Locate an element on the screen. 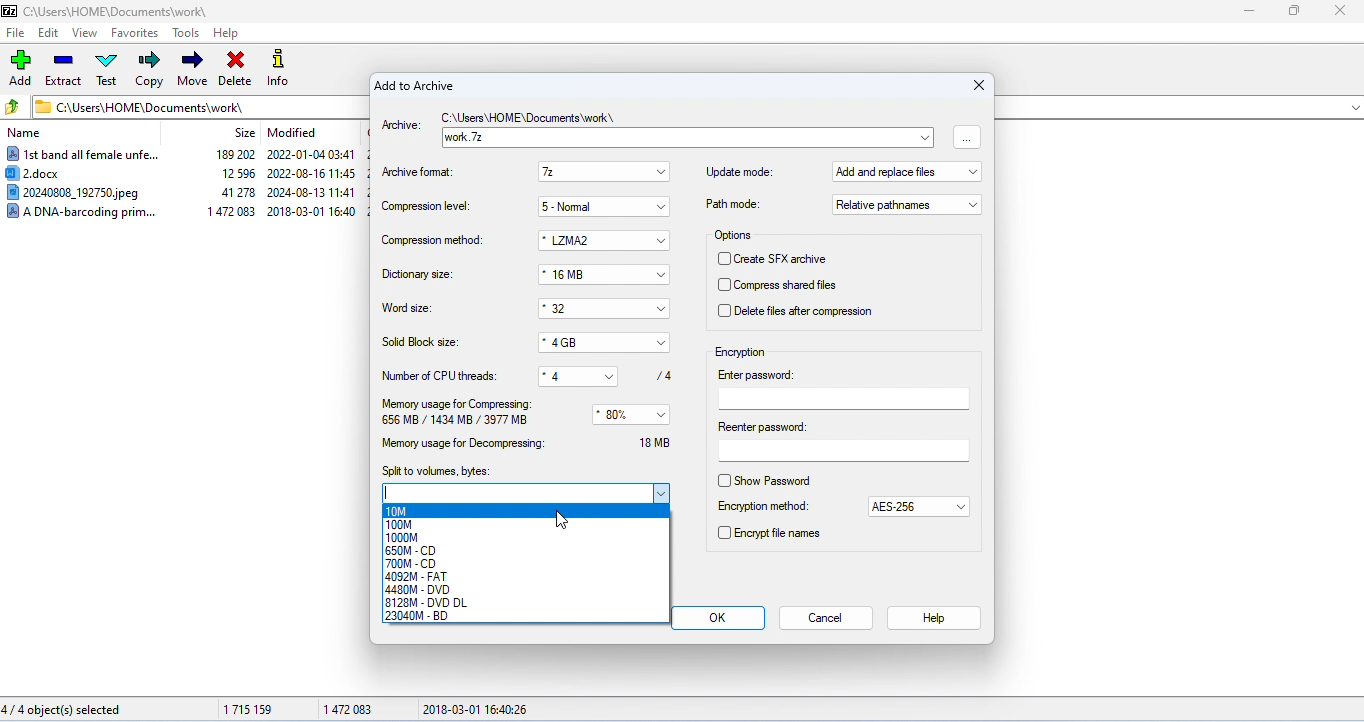 This screenshot has height=722, width=1364. previous folder is located at coordinates (14, 106).